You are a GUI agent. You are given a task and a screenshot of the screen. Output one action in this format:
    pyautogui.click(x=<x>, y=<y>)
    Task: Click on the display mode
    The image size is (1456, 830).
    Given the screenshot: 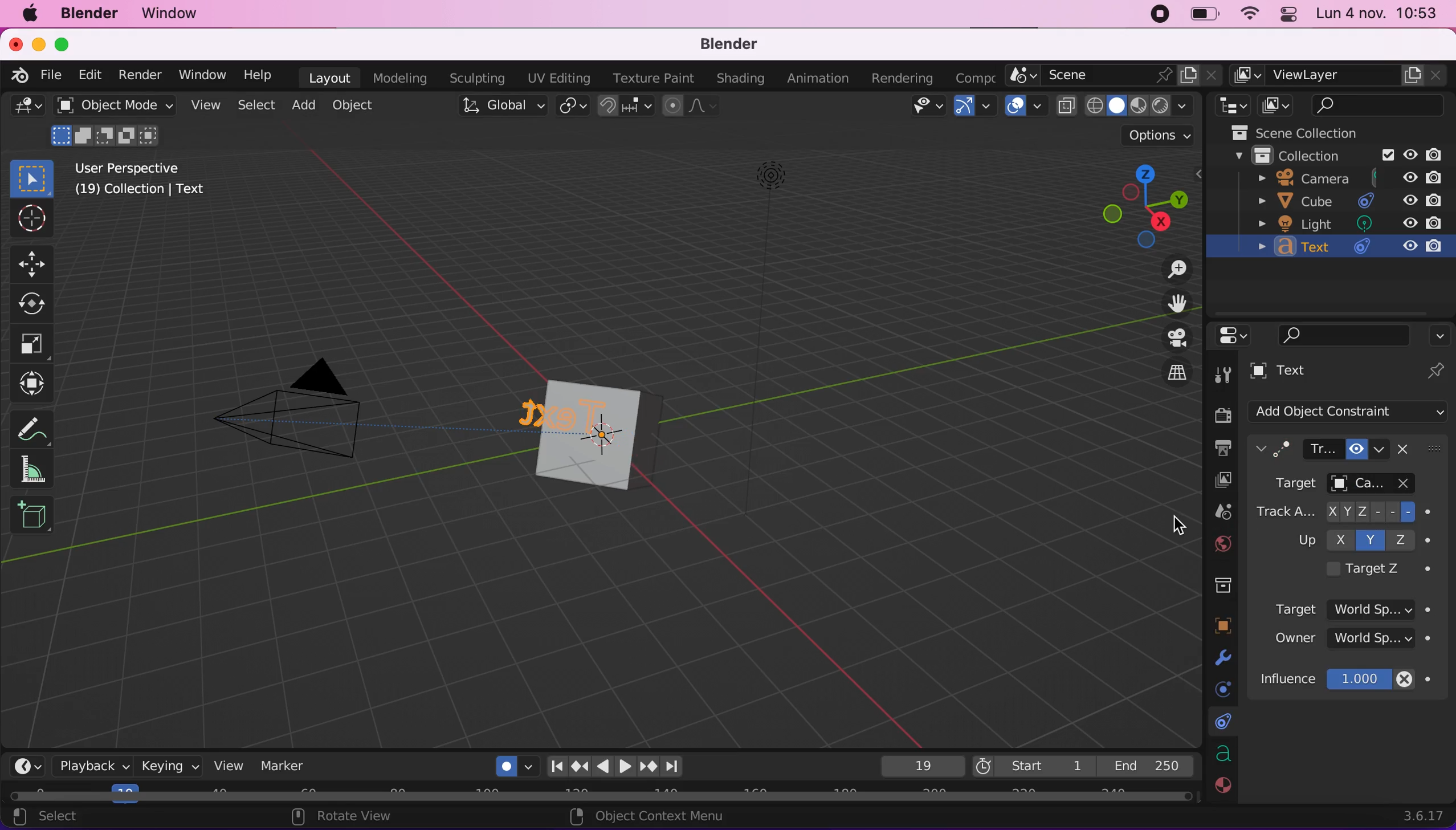 What is the action you would take?
    pyautogui.click(x=1276, y=105)
    